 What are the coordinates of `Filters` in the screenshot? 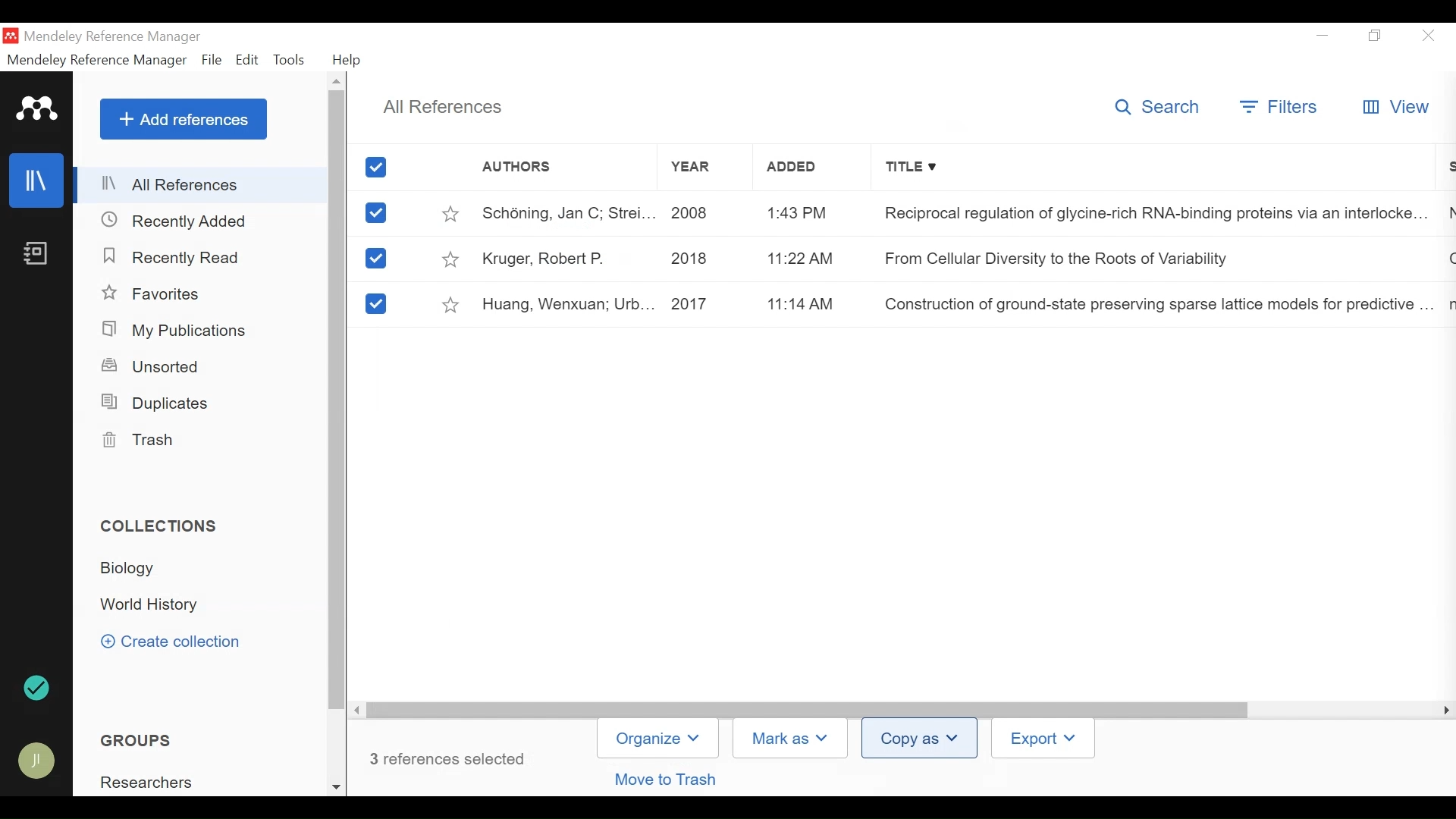 It's located at (1280, 108).